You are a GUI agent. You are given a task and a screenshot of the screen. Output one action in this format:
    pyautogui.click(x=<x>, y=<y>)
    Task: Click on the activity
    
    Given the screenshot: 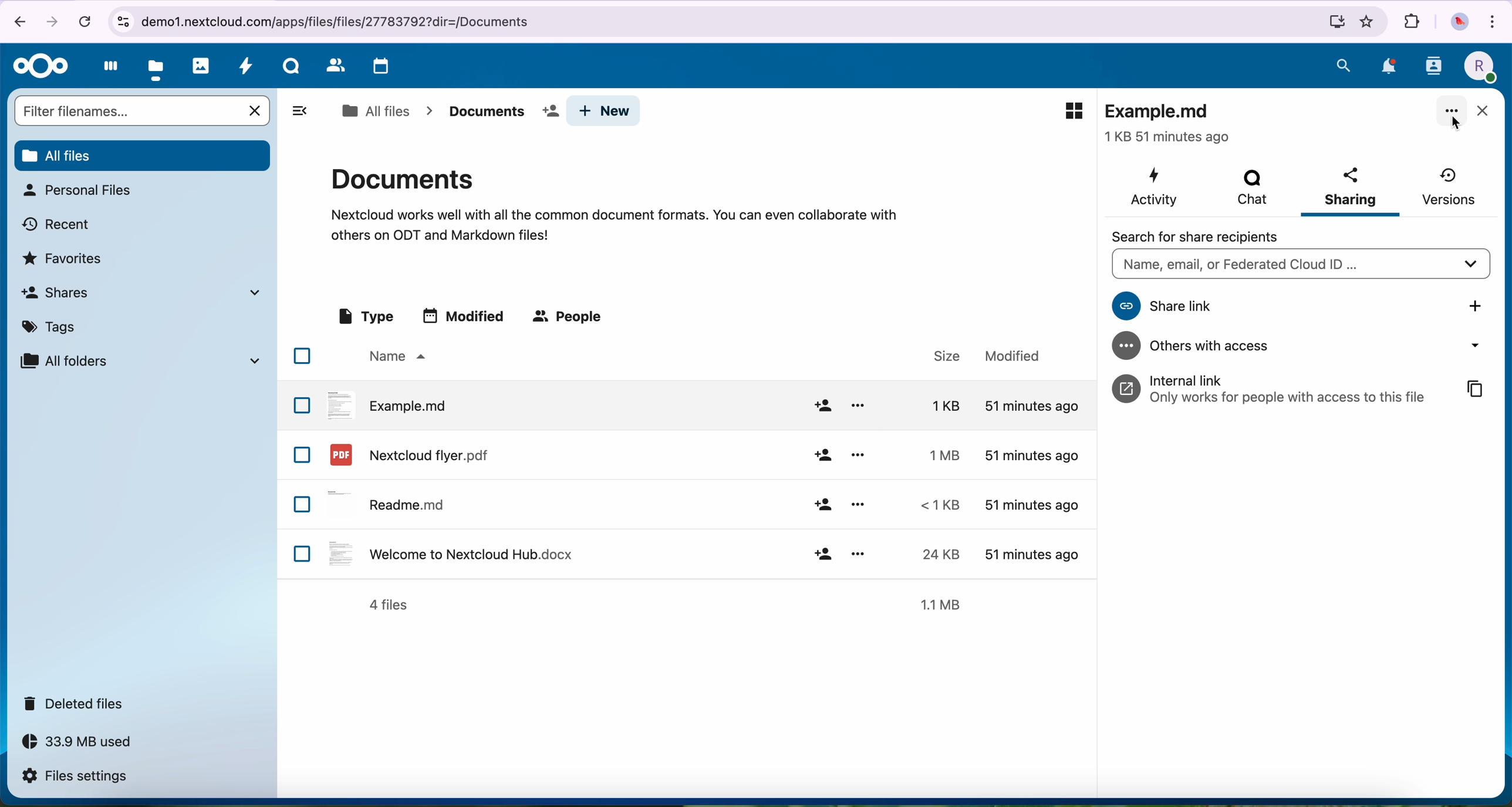 What is the action you would take?
    pyautogui.click(x=1157, y=187)
    